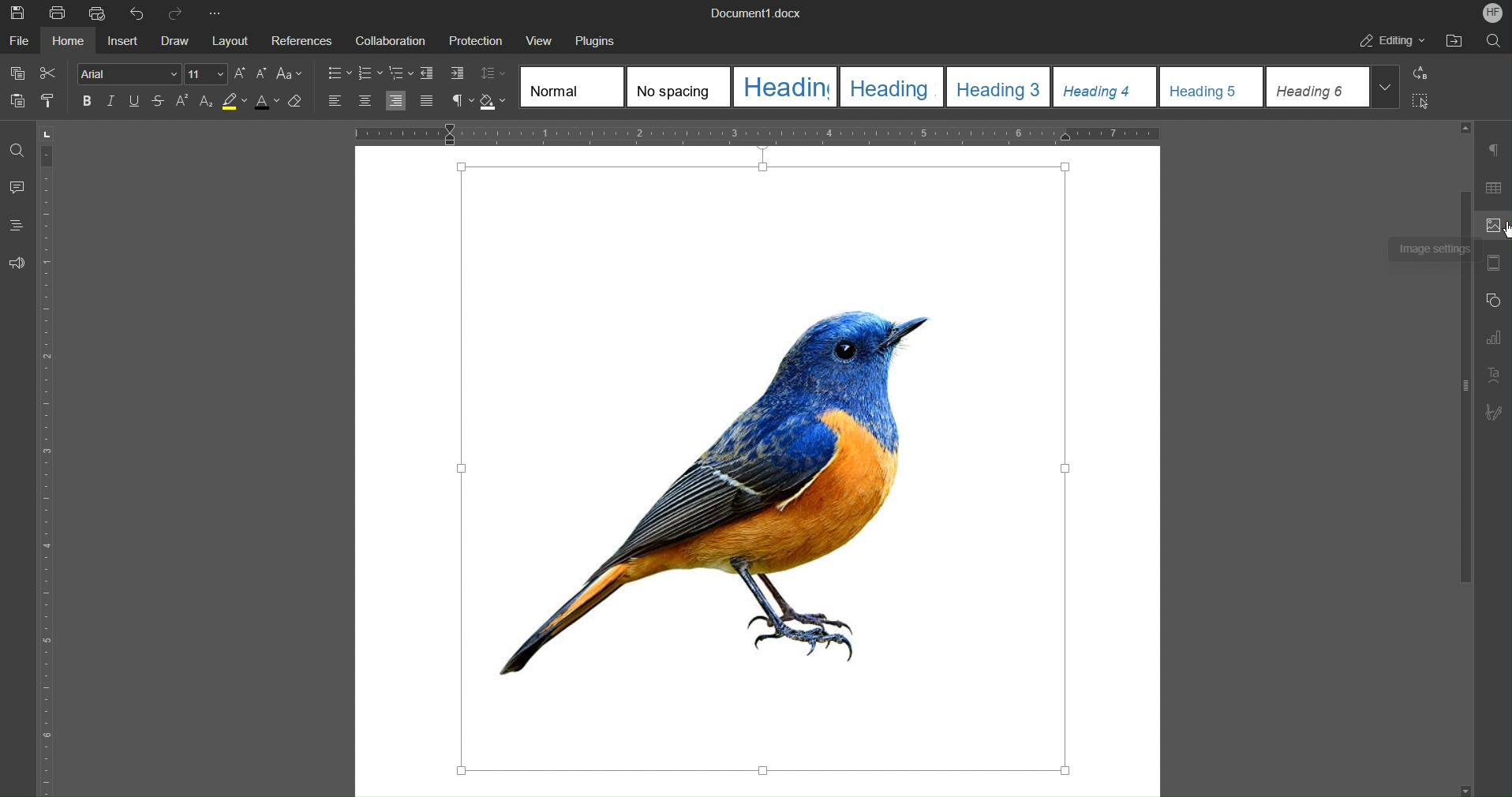  What do you see at coordinates (572, 85) in the screenshot?
I see `Normal` at bounding box center [572, 85].